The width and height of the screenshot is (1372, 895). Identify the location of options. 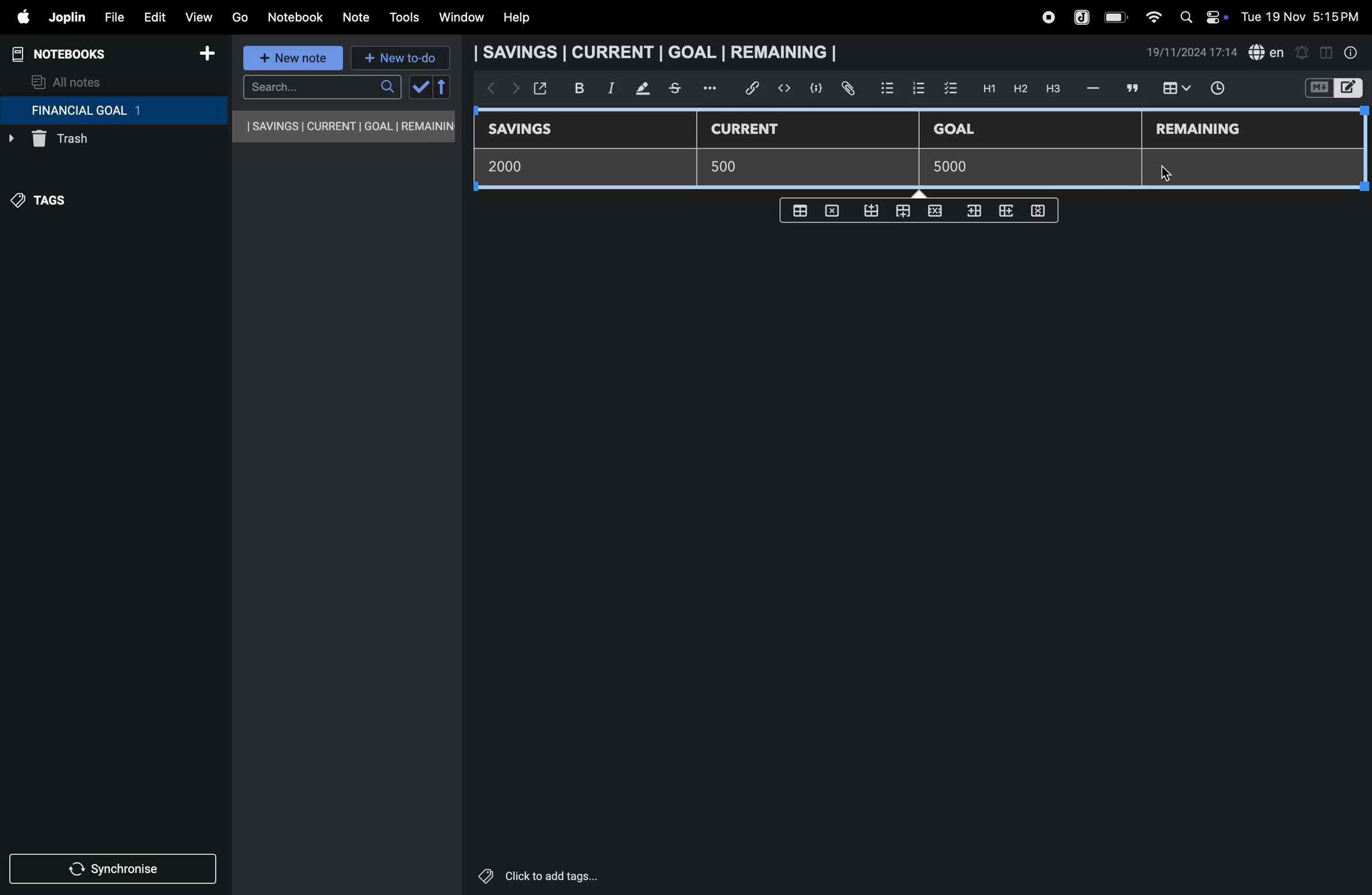
(712, 88).